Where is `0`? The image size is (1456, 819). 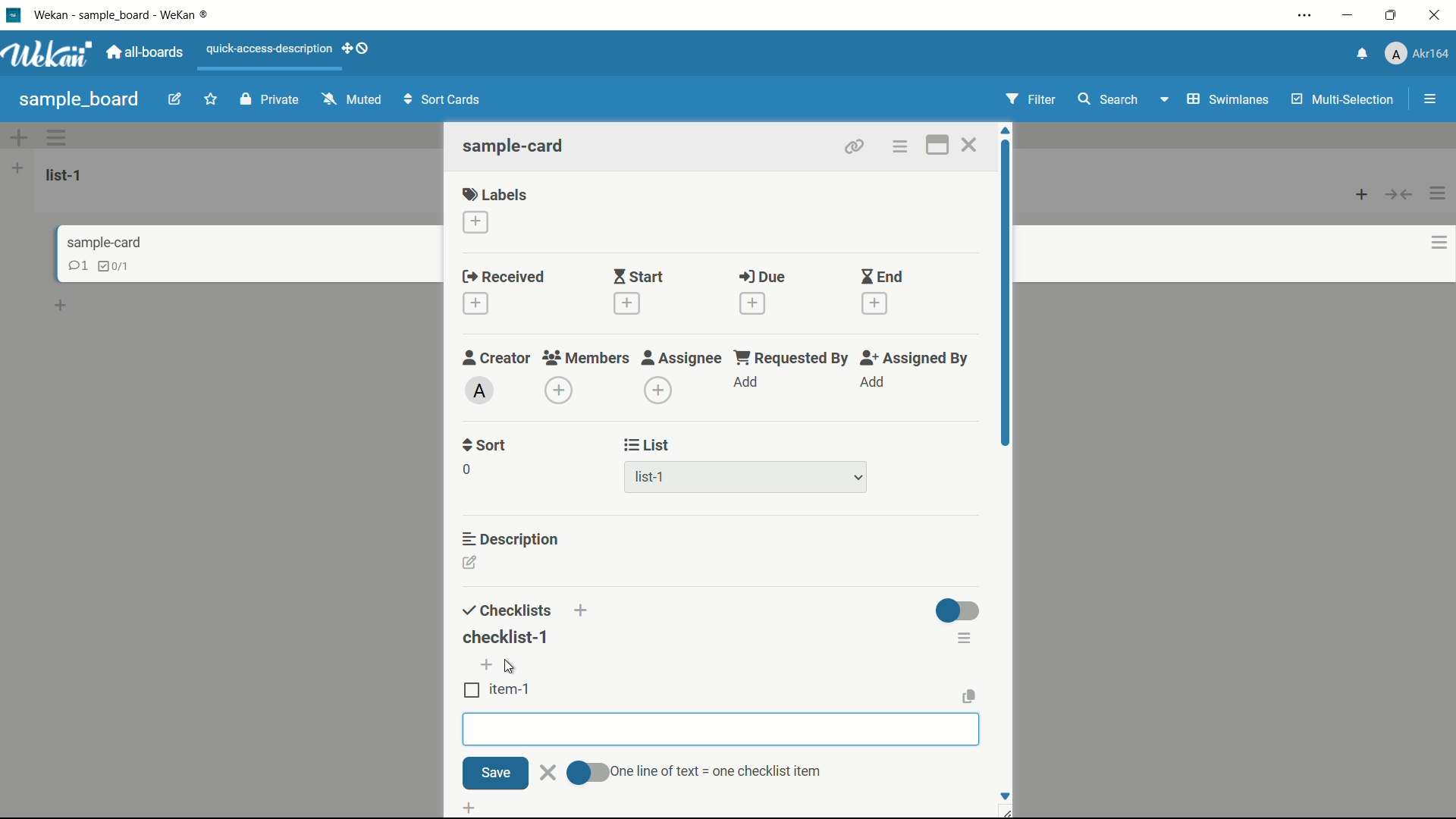
0 is located at coordinates (466, 469).